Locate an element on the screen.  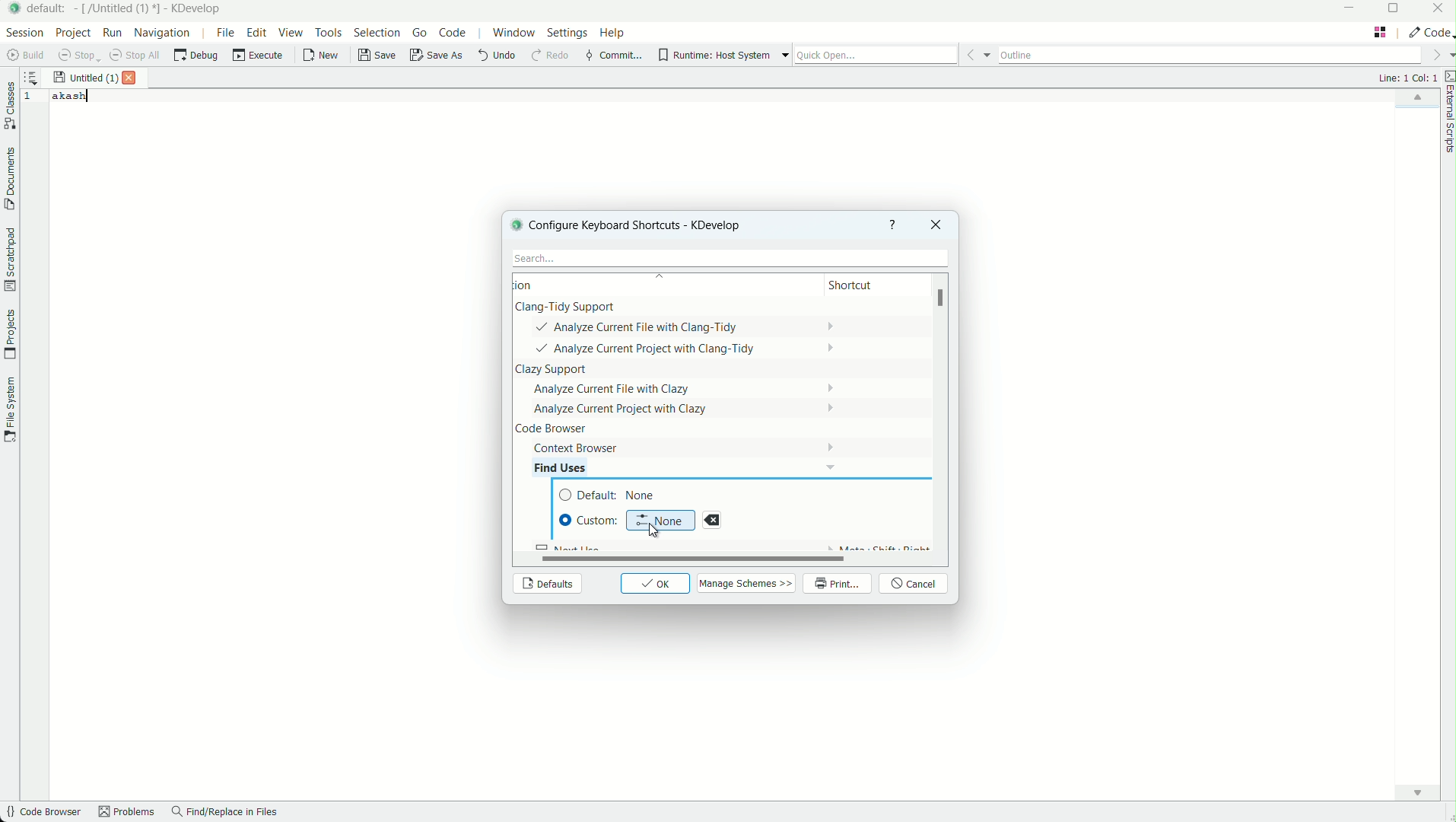
close app is located at coordinates (1439, 10).